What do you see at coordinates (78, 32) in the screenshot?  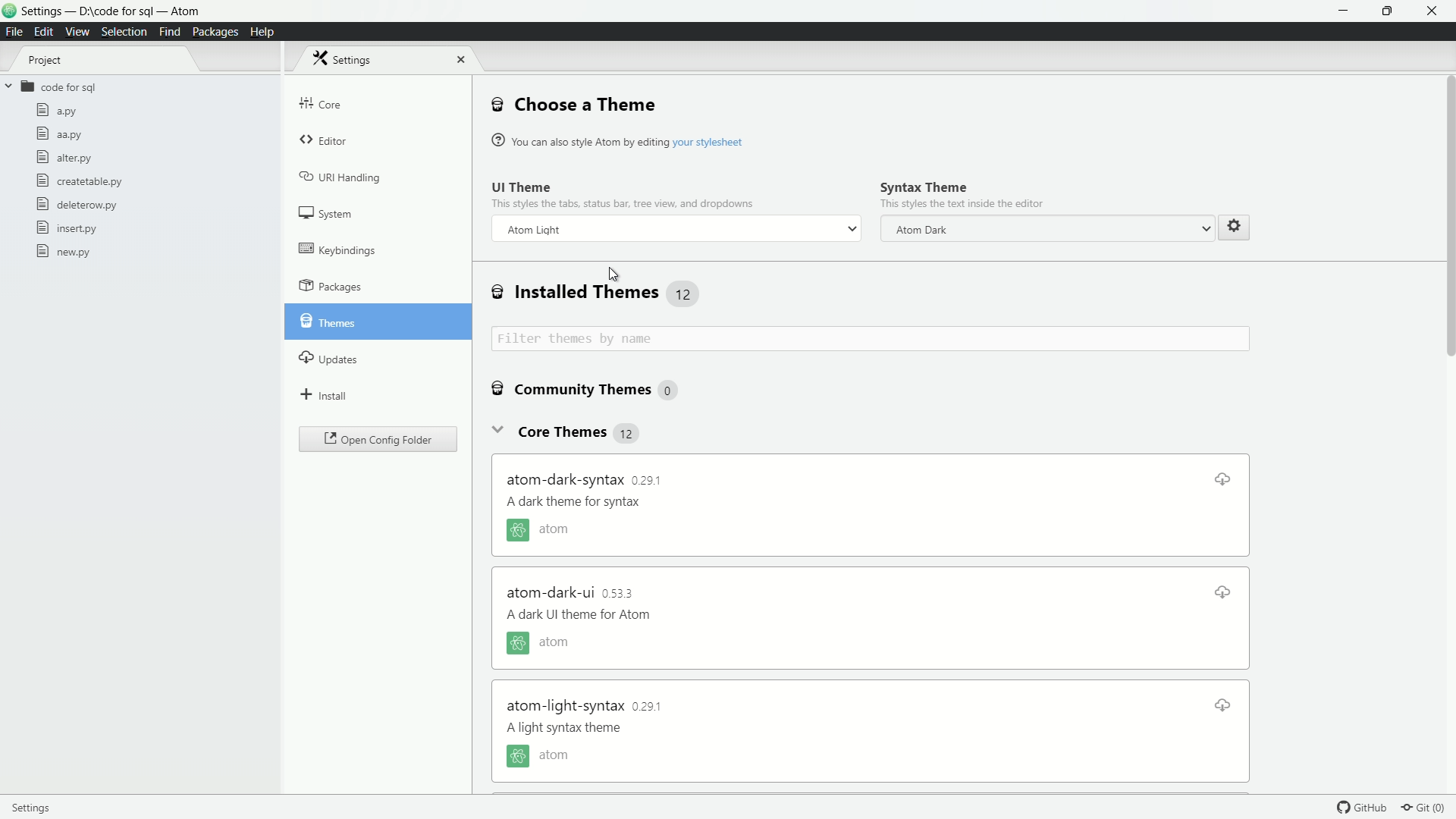 I see `view menu` at bounding box center [78, 32].